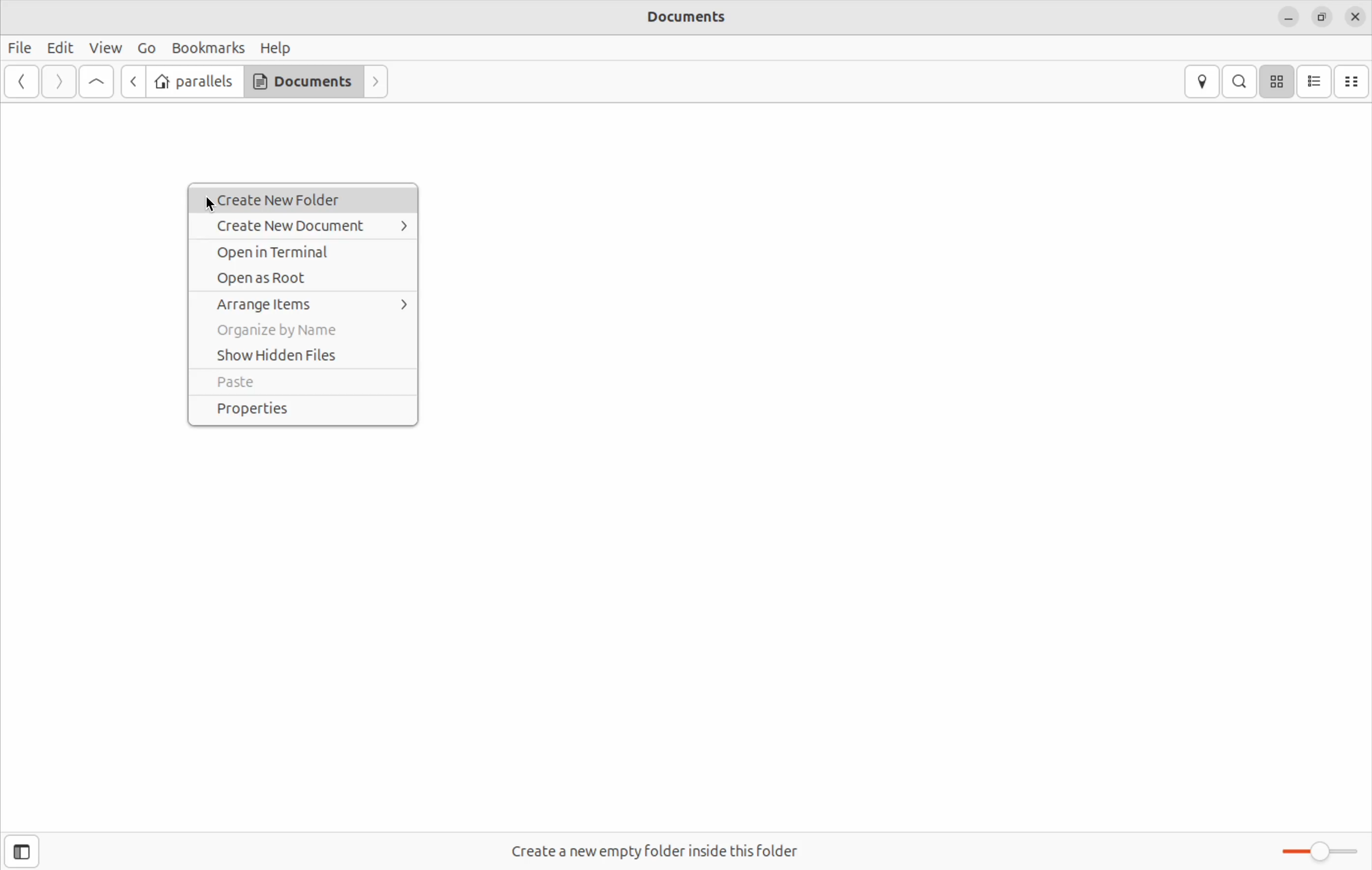 This screenshot has width=1372, height=870. Describe the element at coordinates (208, 201) in the screenshot. I see `Curosr` at that location.